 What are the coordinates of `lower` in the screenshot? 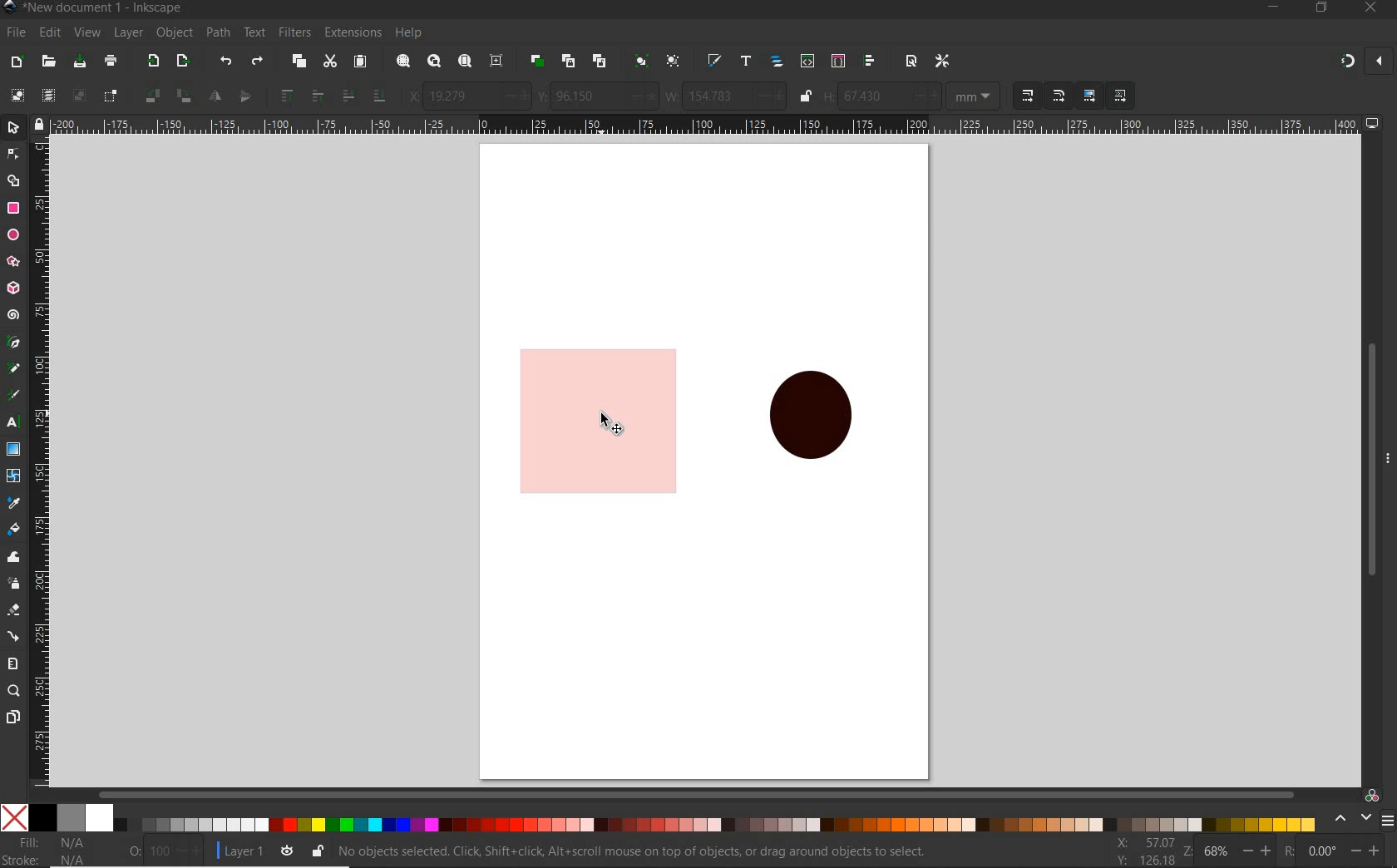 It's located at (348, 96).